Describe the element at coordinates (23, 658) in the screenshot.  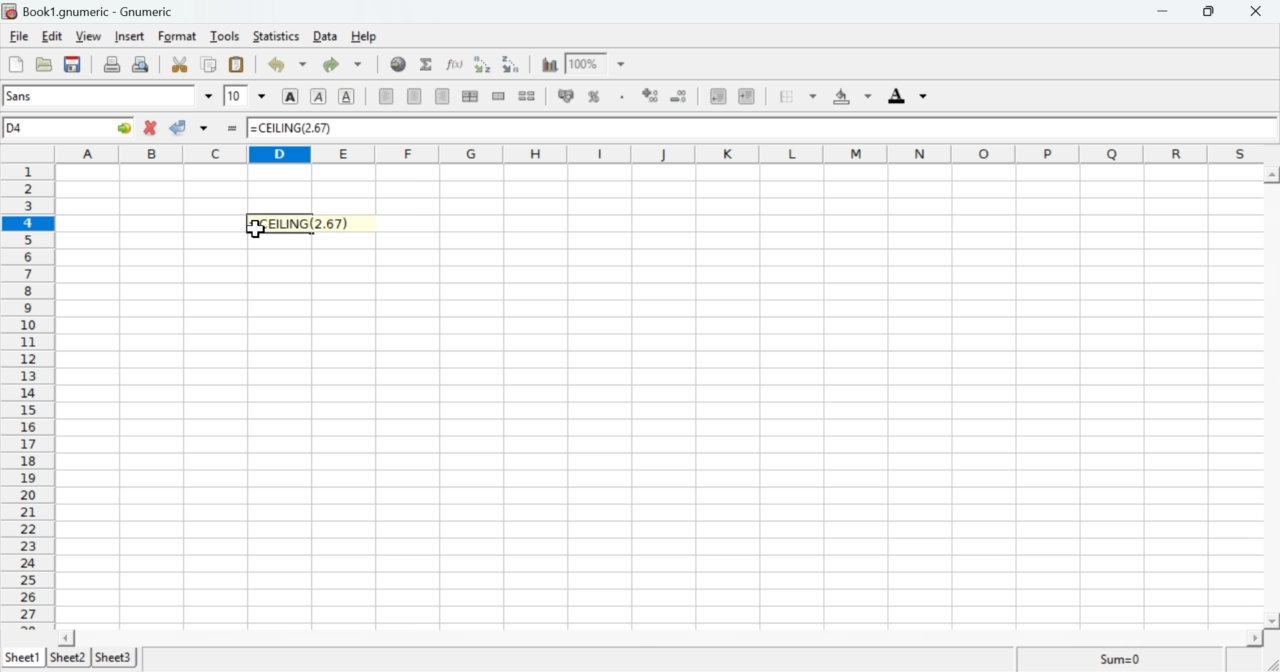
I see `Sheet1` at that location.